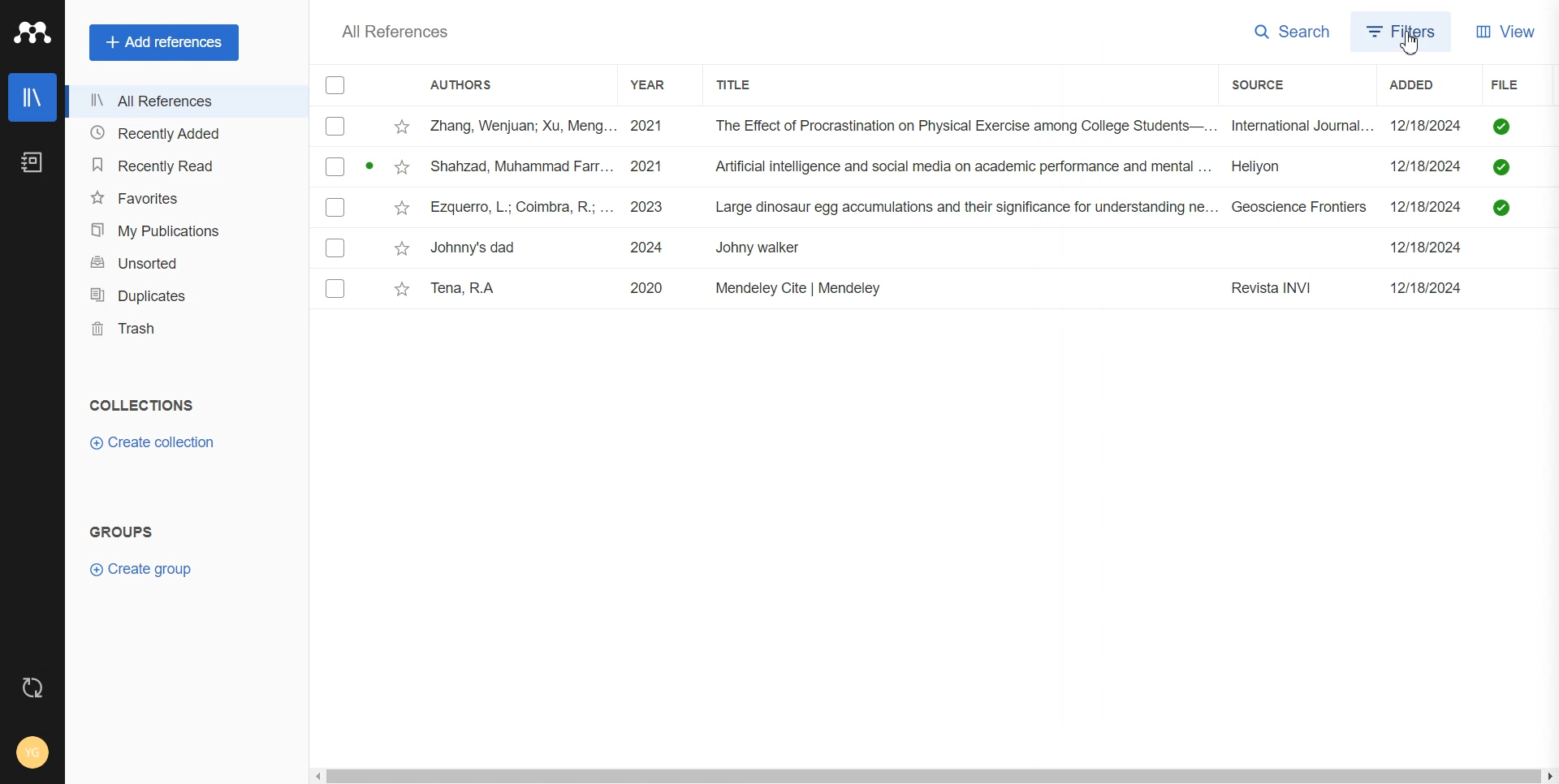 This screenshot has width=1559, height=784. Describe the element at coordinates (1254, 84) in the screenshot. I see `Source` at that location.